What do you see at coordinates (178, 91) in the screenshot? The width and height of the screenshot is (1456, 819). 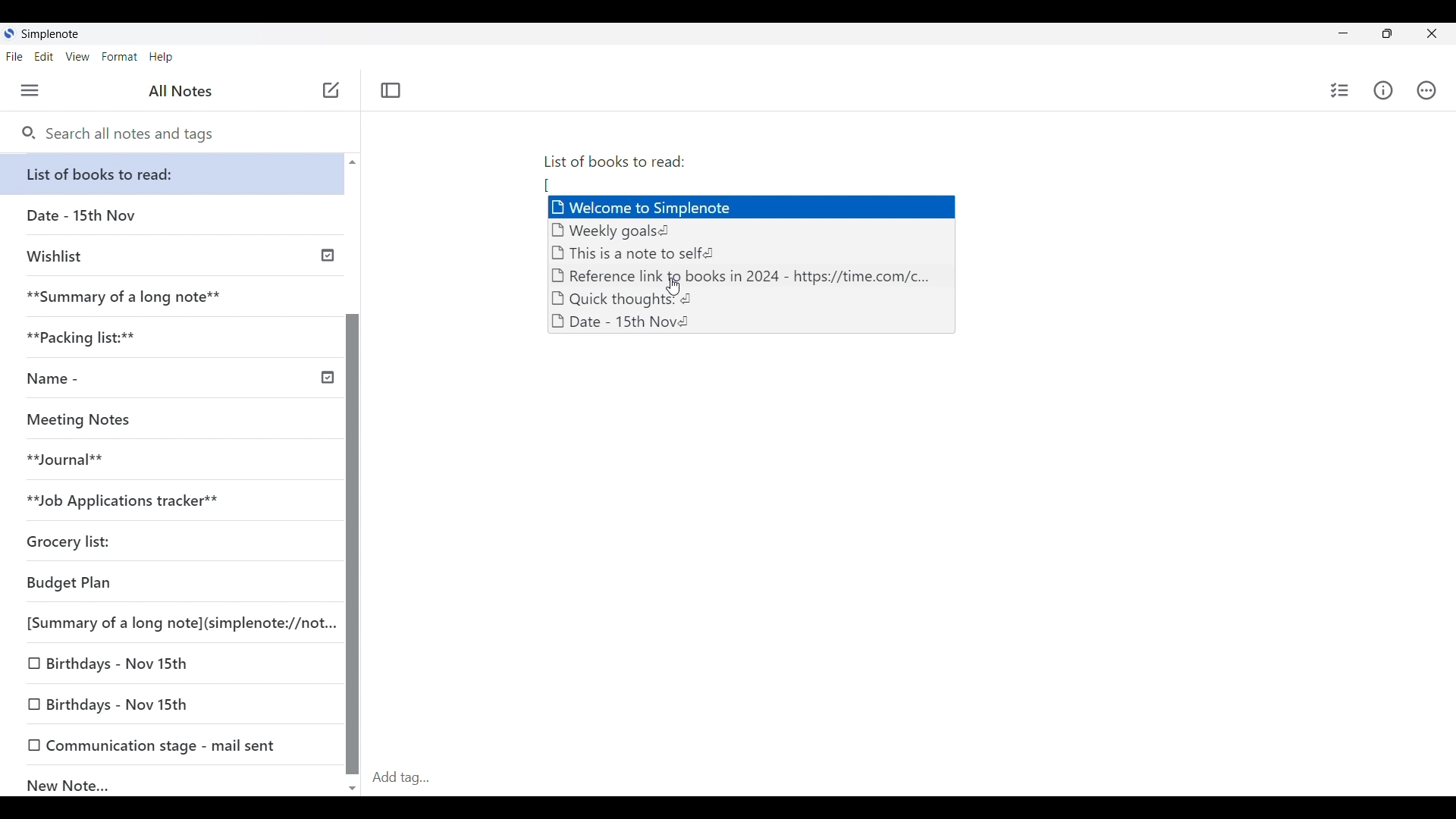 I see `All Notes` at bounding box center [178, 91].